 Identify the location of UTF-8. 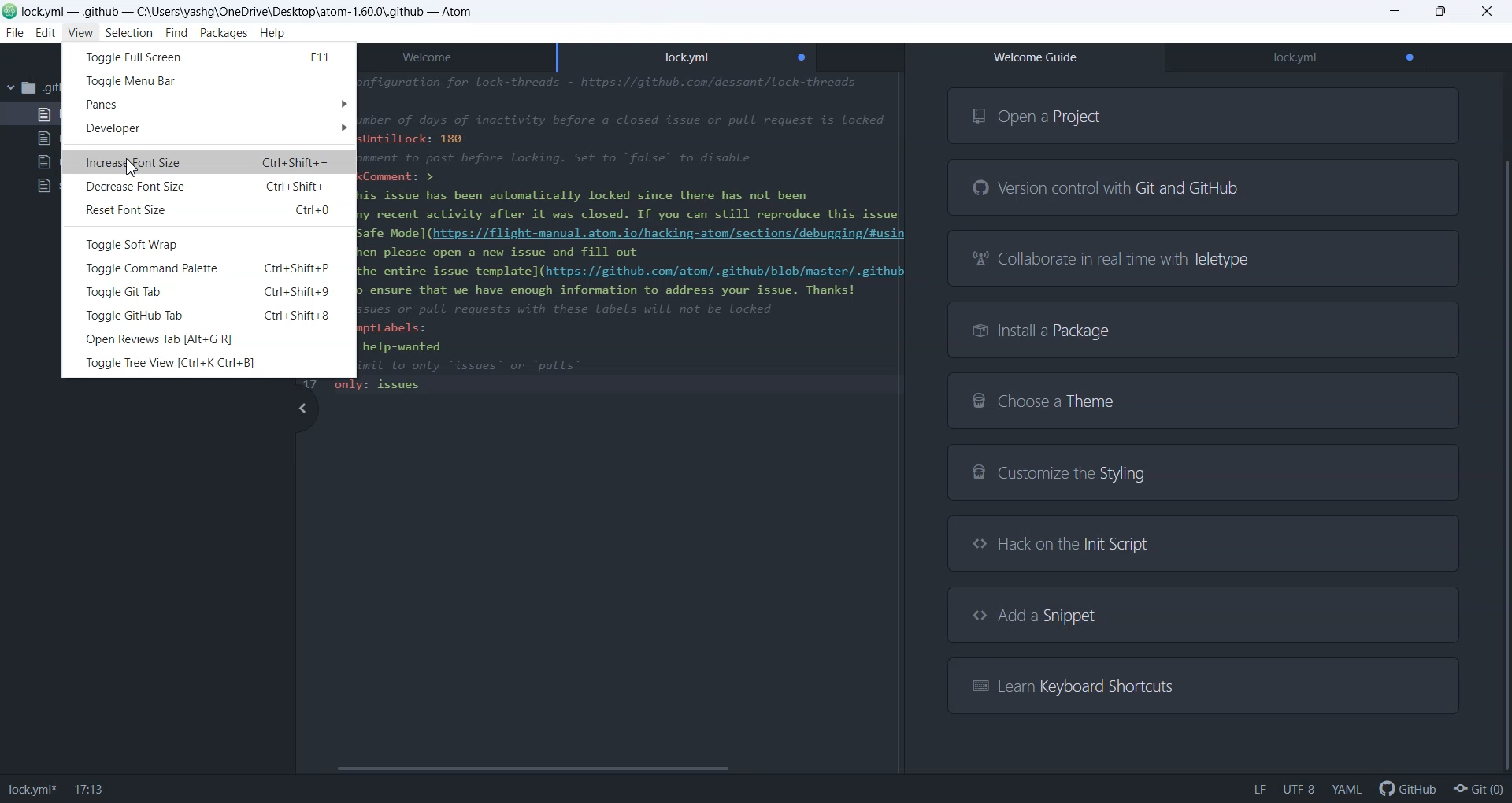
(1299, 789).